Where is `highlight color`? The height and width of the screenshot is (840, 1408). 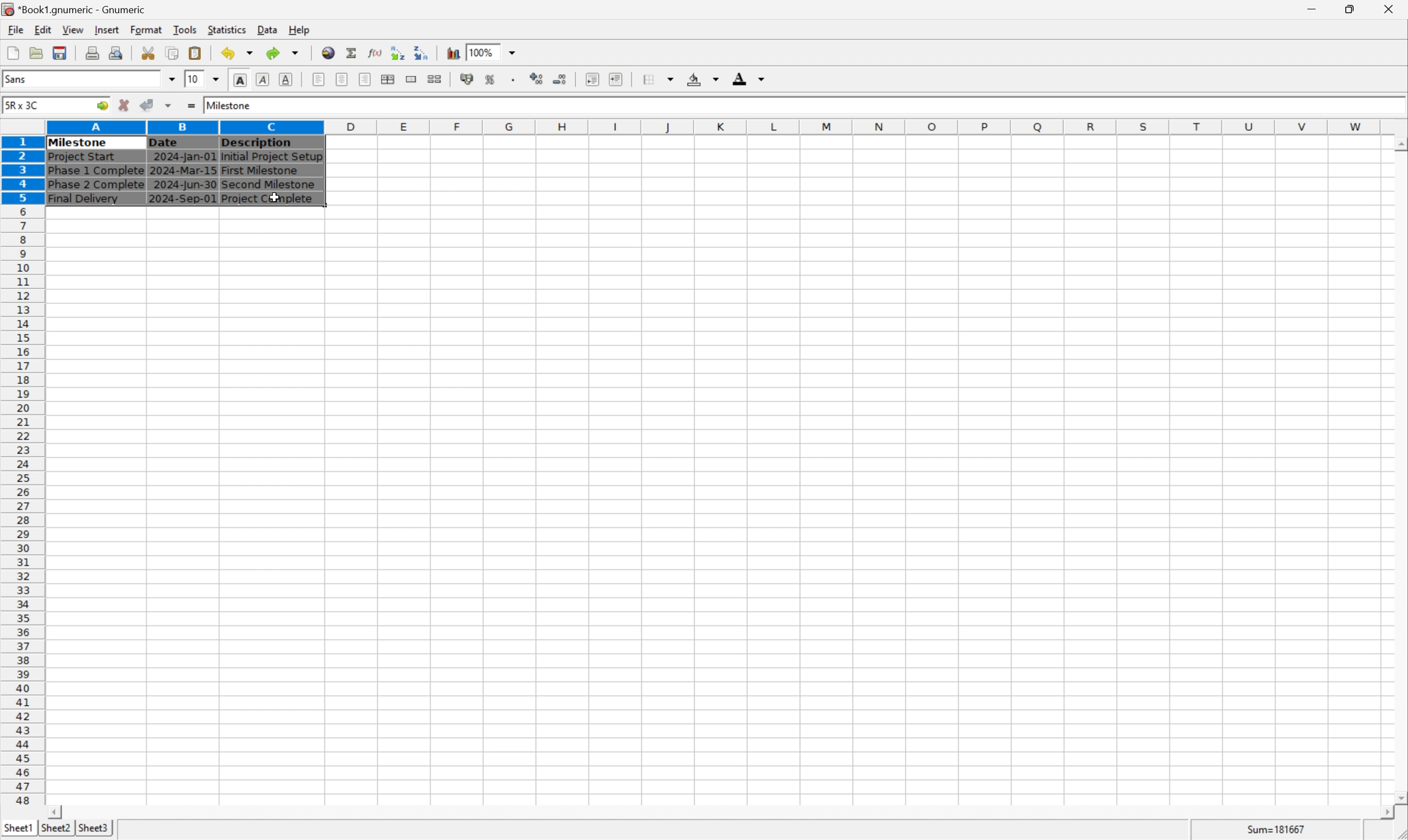
highlight color is located at coordinates (700, 77).